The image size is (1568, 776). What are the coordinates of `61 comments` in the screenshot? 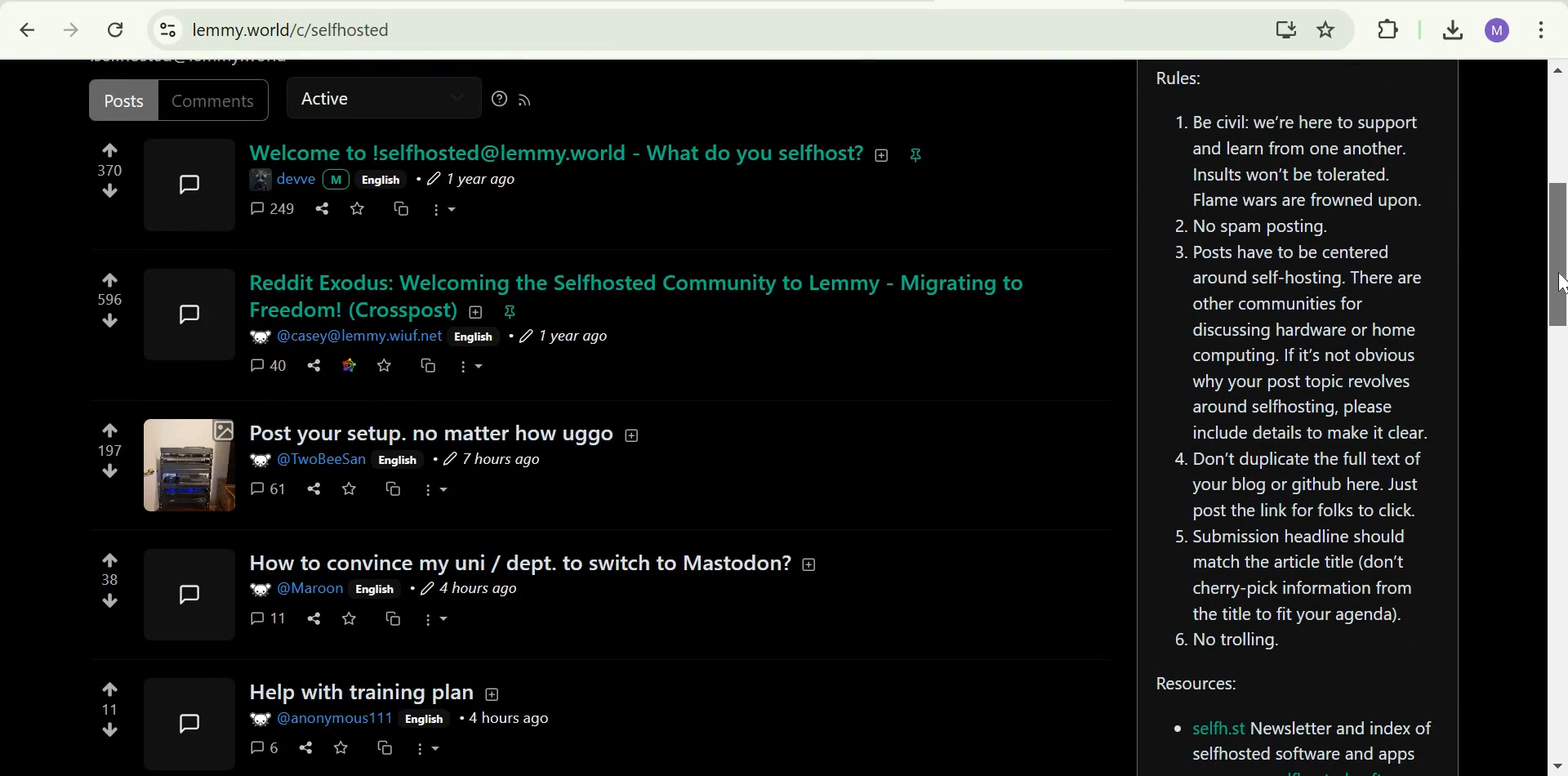 It's located at (265, 489).